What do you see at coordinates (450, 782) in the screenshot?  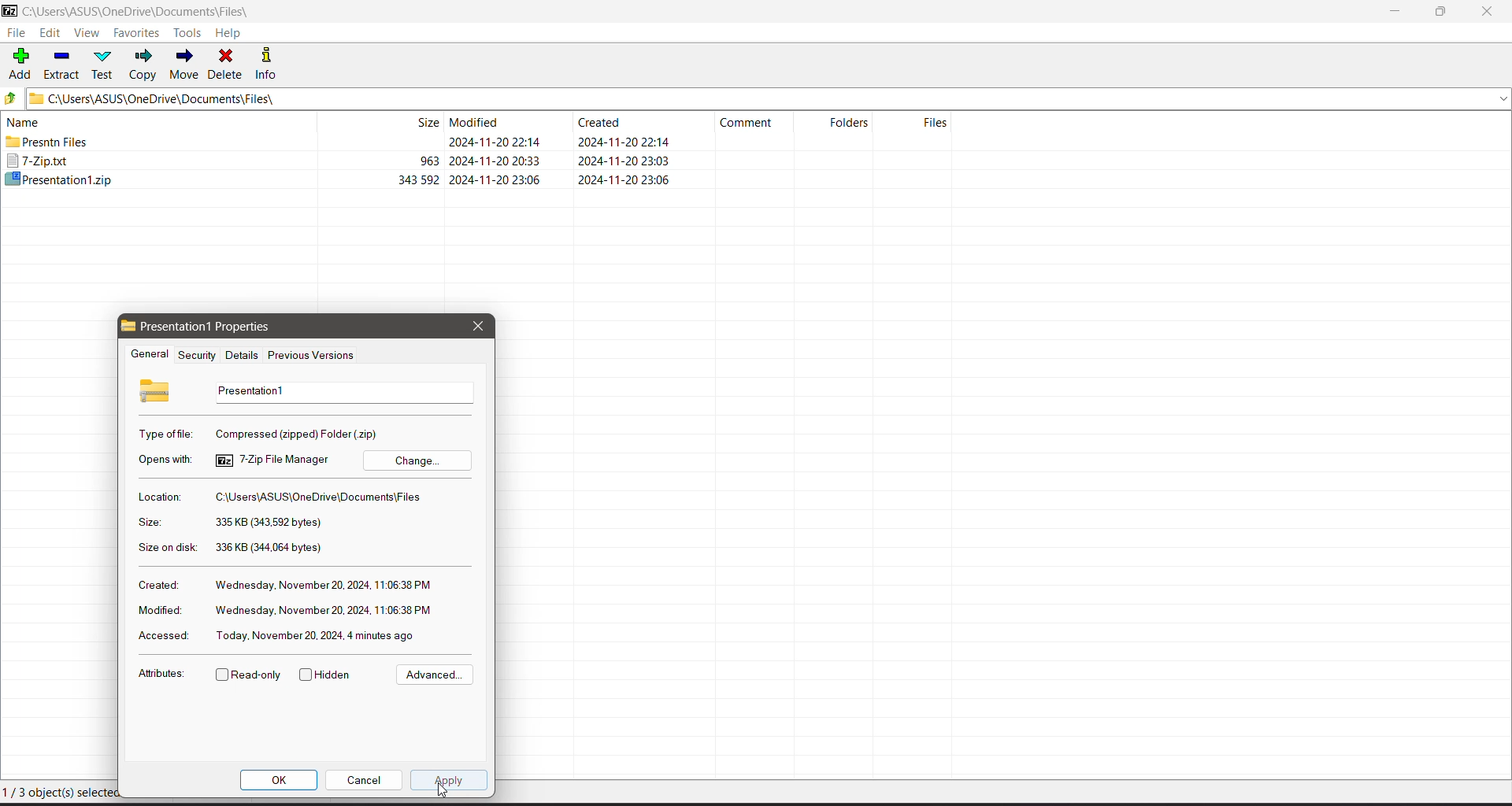 I see `Click to apply the changes made` at bounding box center [450, 782].